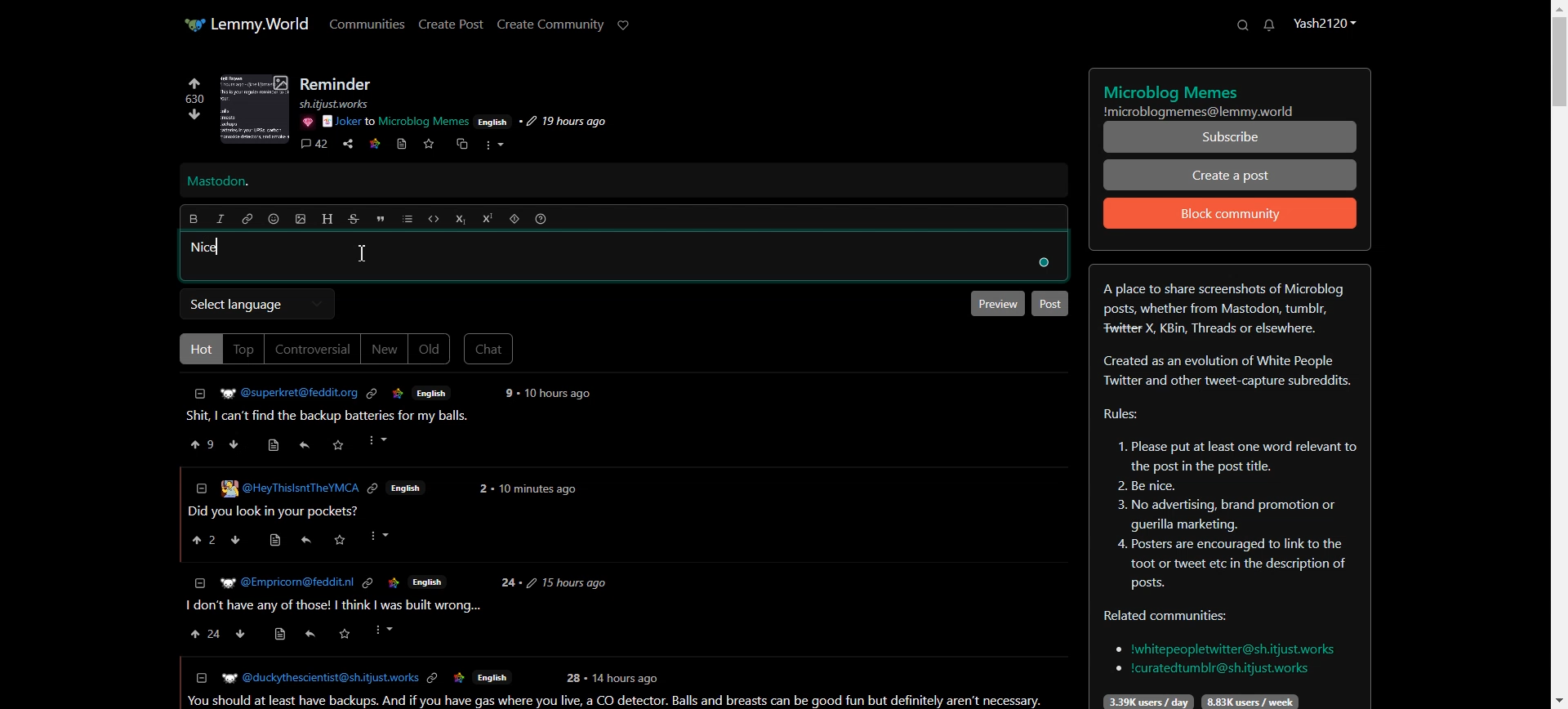  I want to click on 2, so click(482, 488).